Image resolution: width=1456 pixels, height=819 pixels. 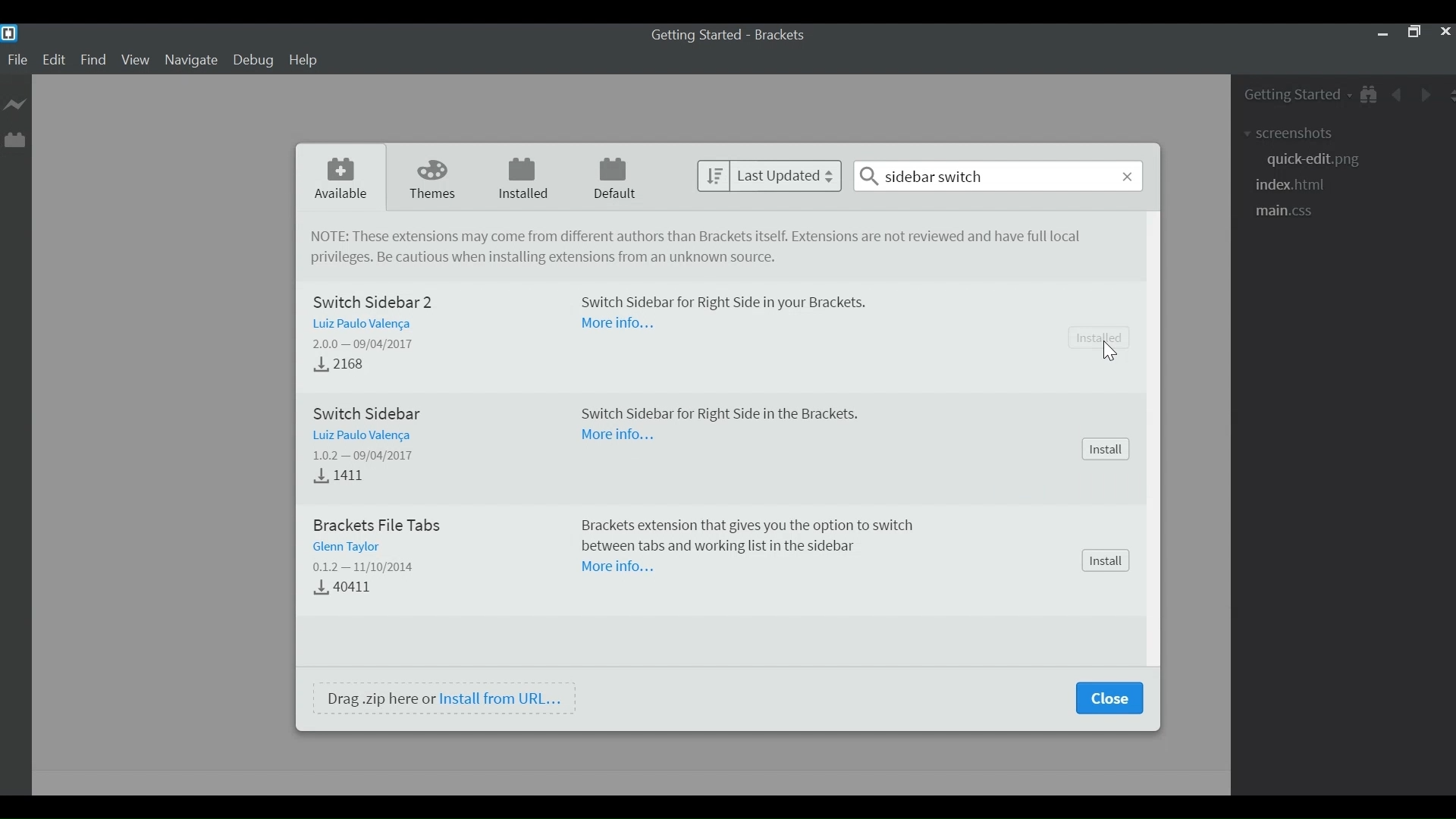 I want to click on more information, so click(x=613, y=325).